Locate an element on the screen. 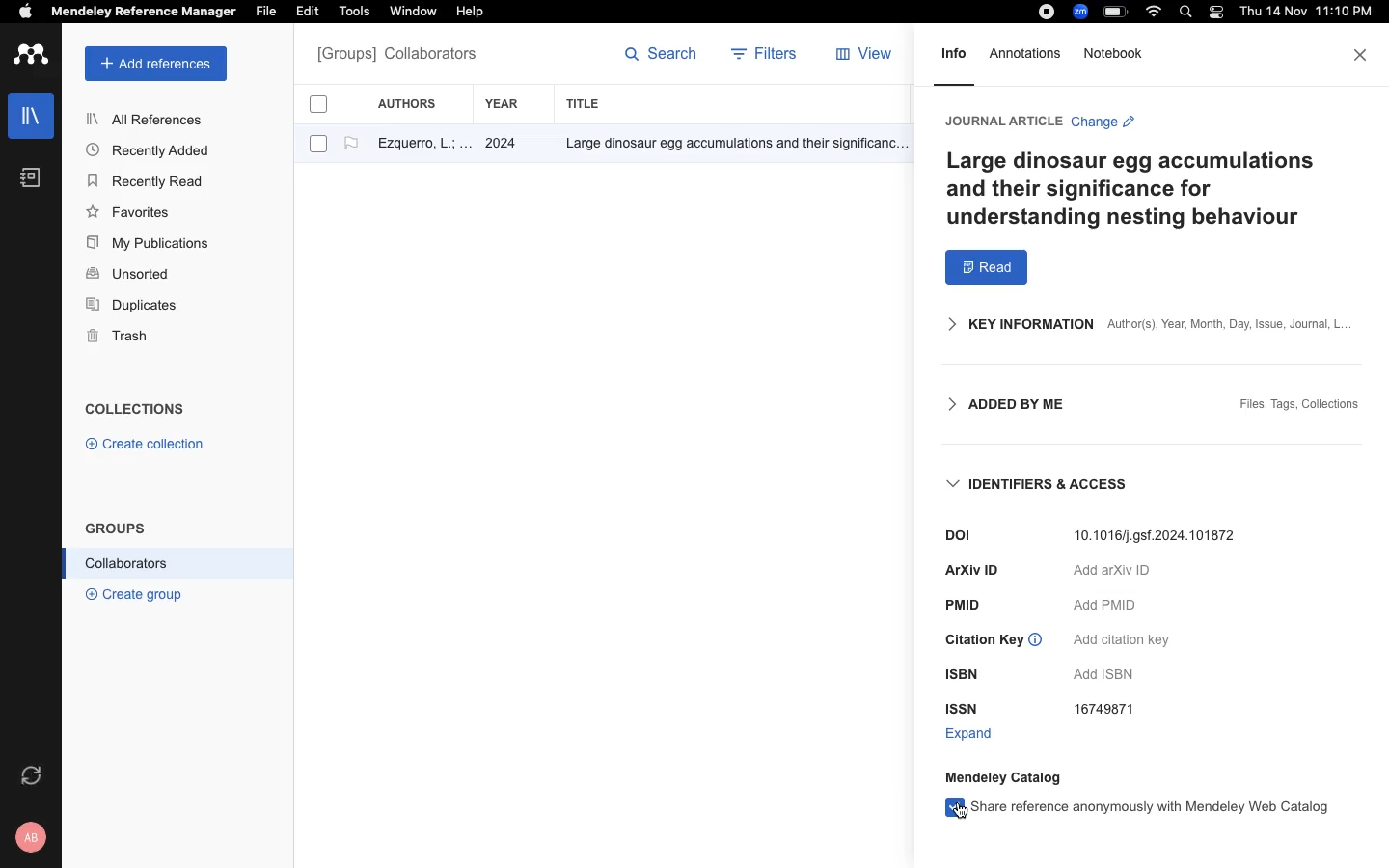 Image resolution: width=1389 pixels, height=868 pixels. annotations is located at coordinates (1029, 53).